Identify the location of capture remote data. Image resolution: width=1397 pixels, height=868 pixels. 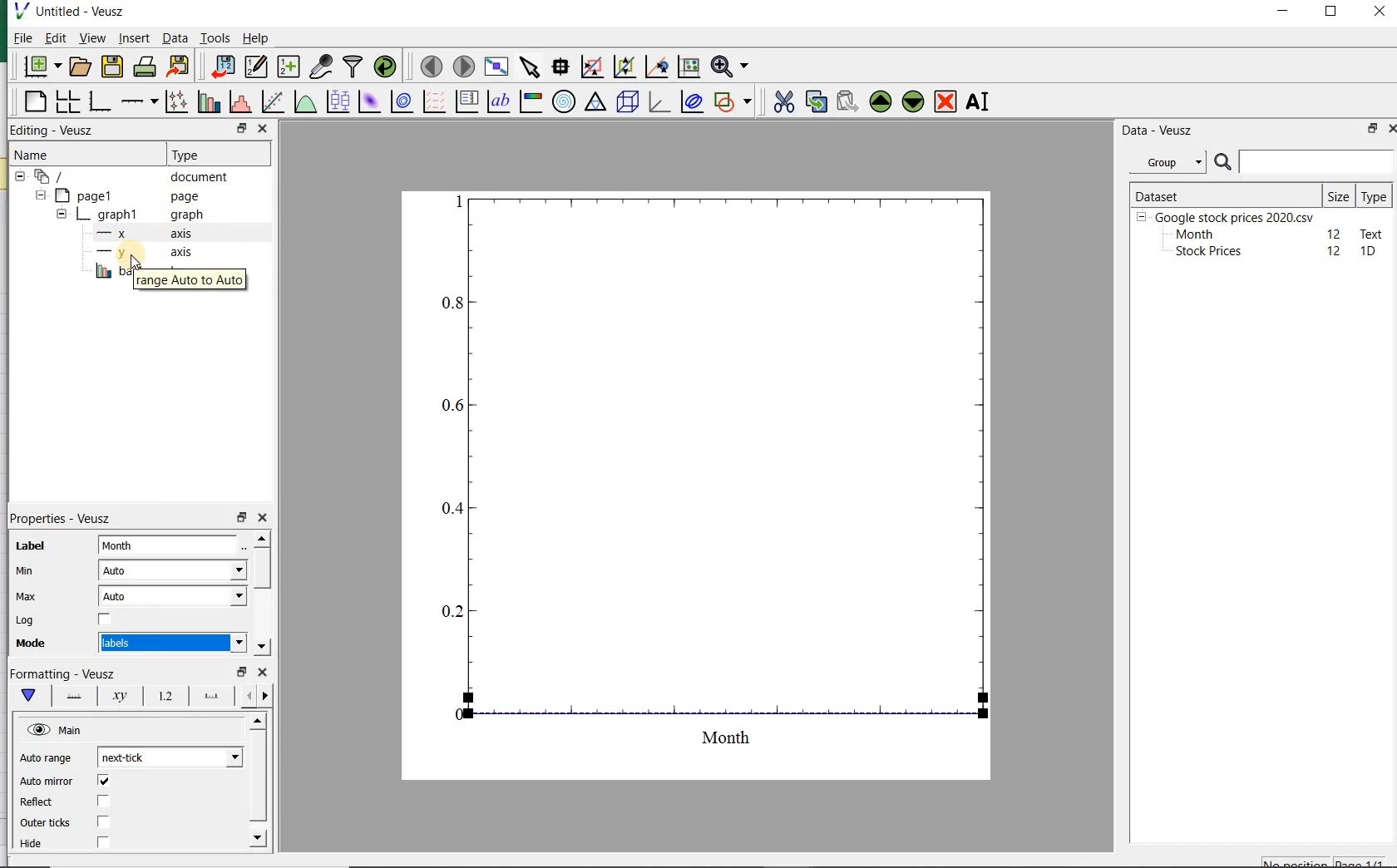
(321, 67).